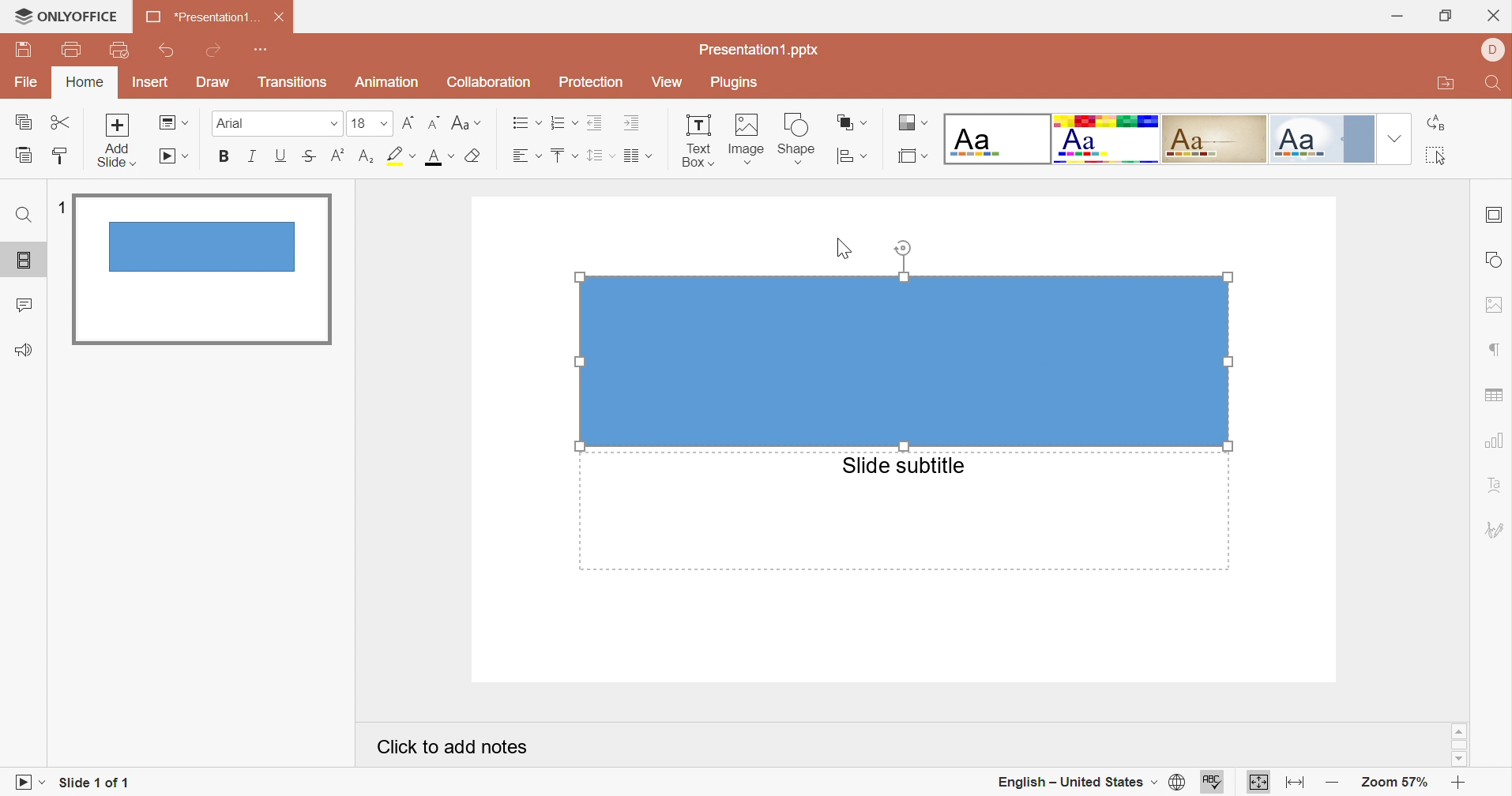  Describe the element at coordinates (1495, 441) in the screenshot. I see `Chart settings` at that location.